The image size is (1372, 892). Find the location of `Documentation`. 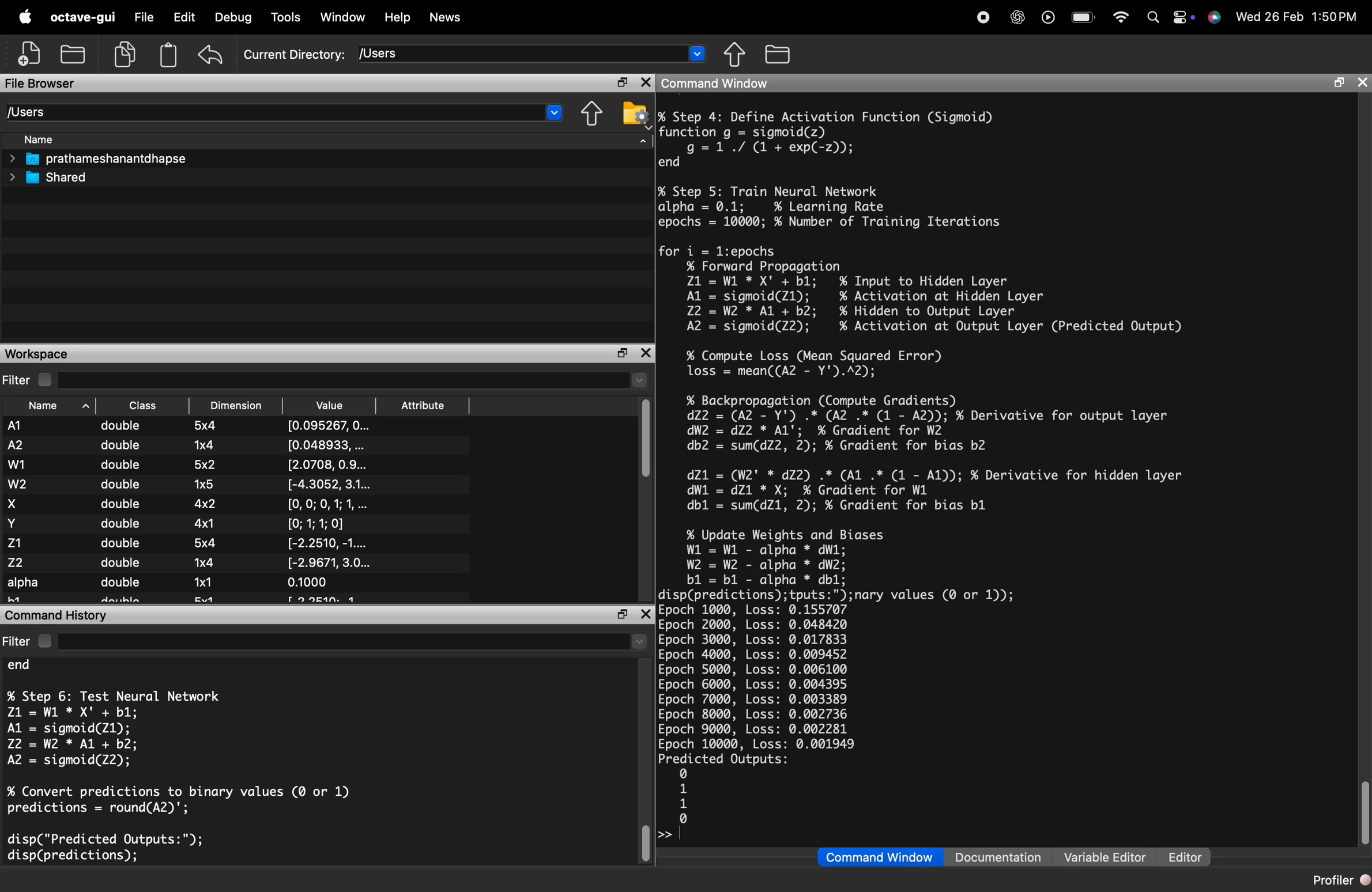

Documentation is located at coordinates (1002, 857).